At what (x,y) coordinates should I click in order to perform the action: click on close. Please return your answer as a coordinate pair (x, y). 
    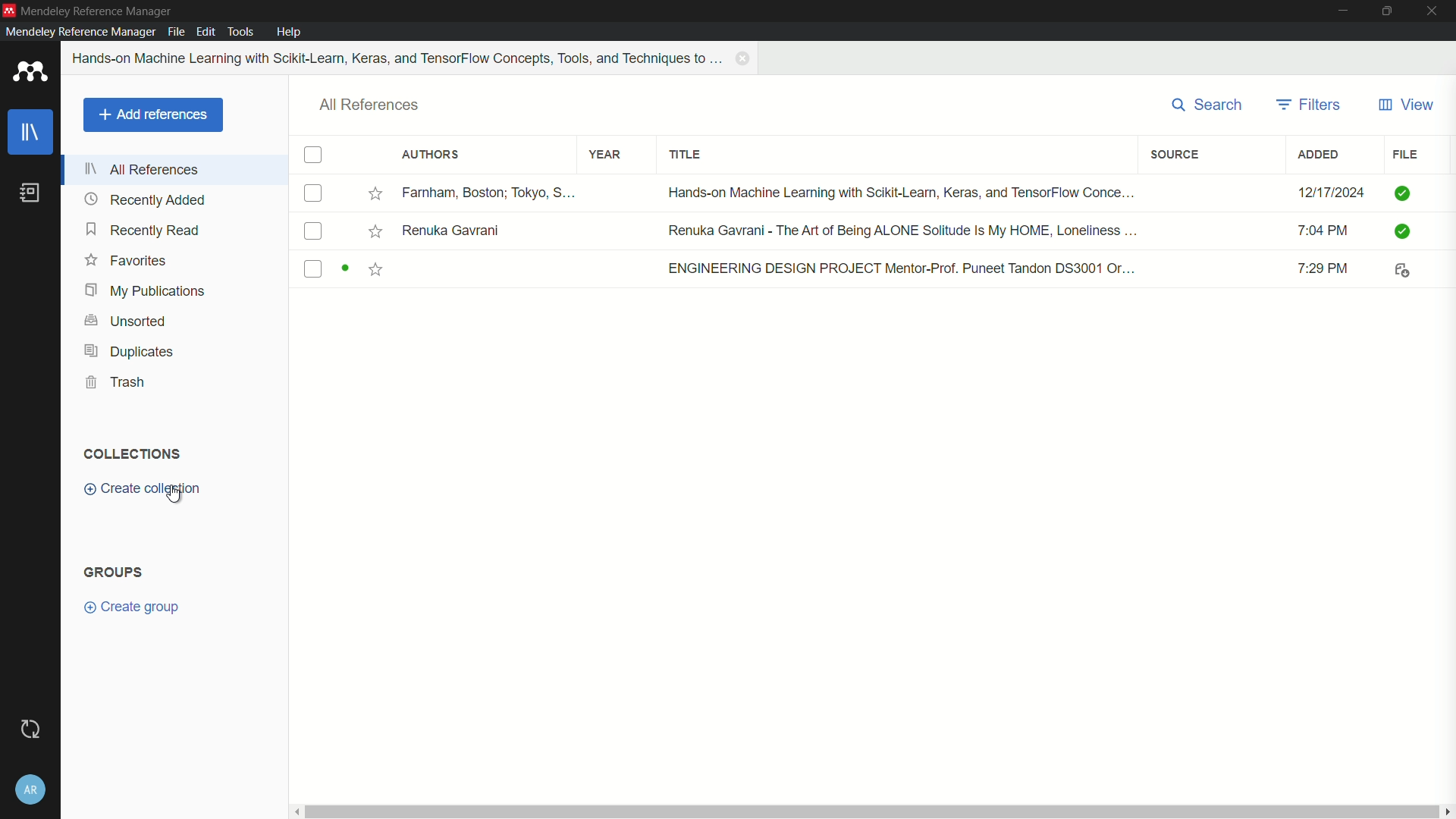
    Looking at the image, I should click on (1436, 11).